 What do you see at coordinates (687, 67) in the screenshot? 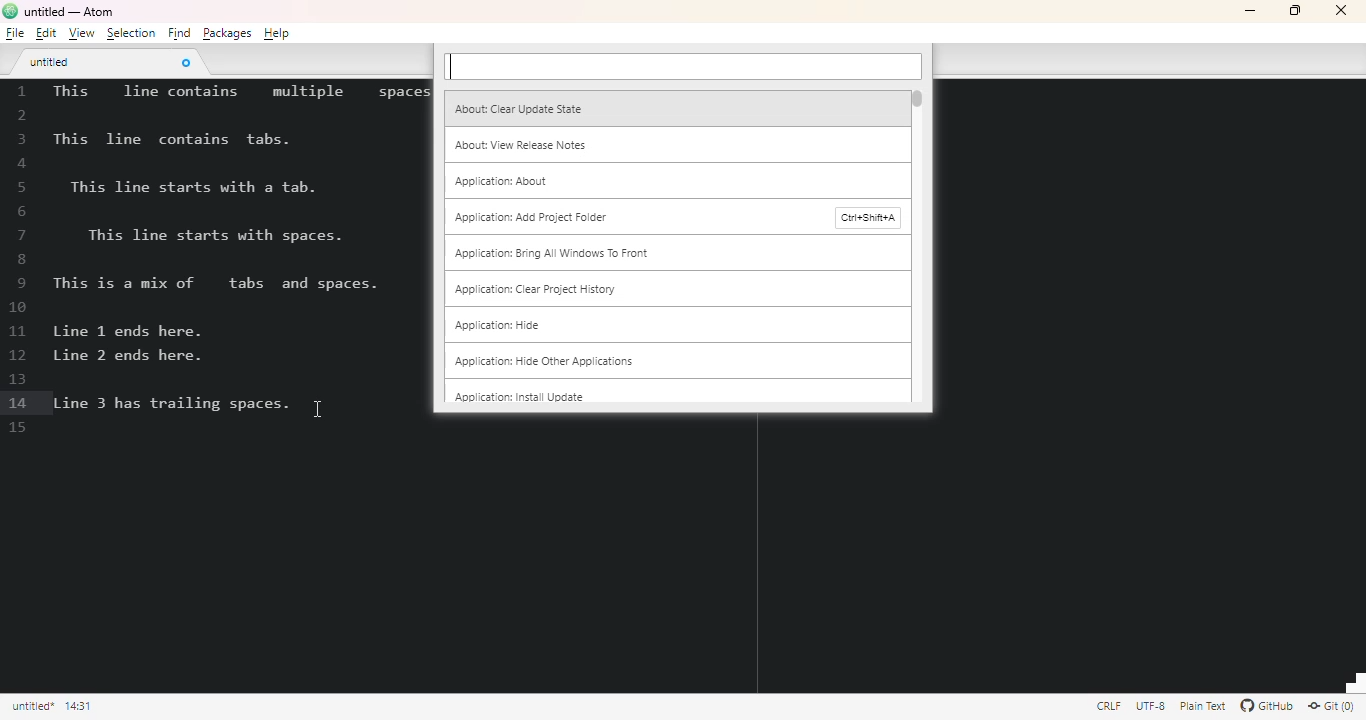
I see `input box` at bounding box center [687, 67].